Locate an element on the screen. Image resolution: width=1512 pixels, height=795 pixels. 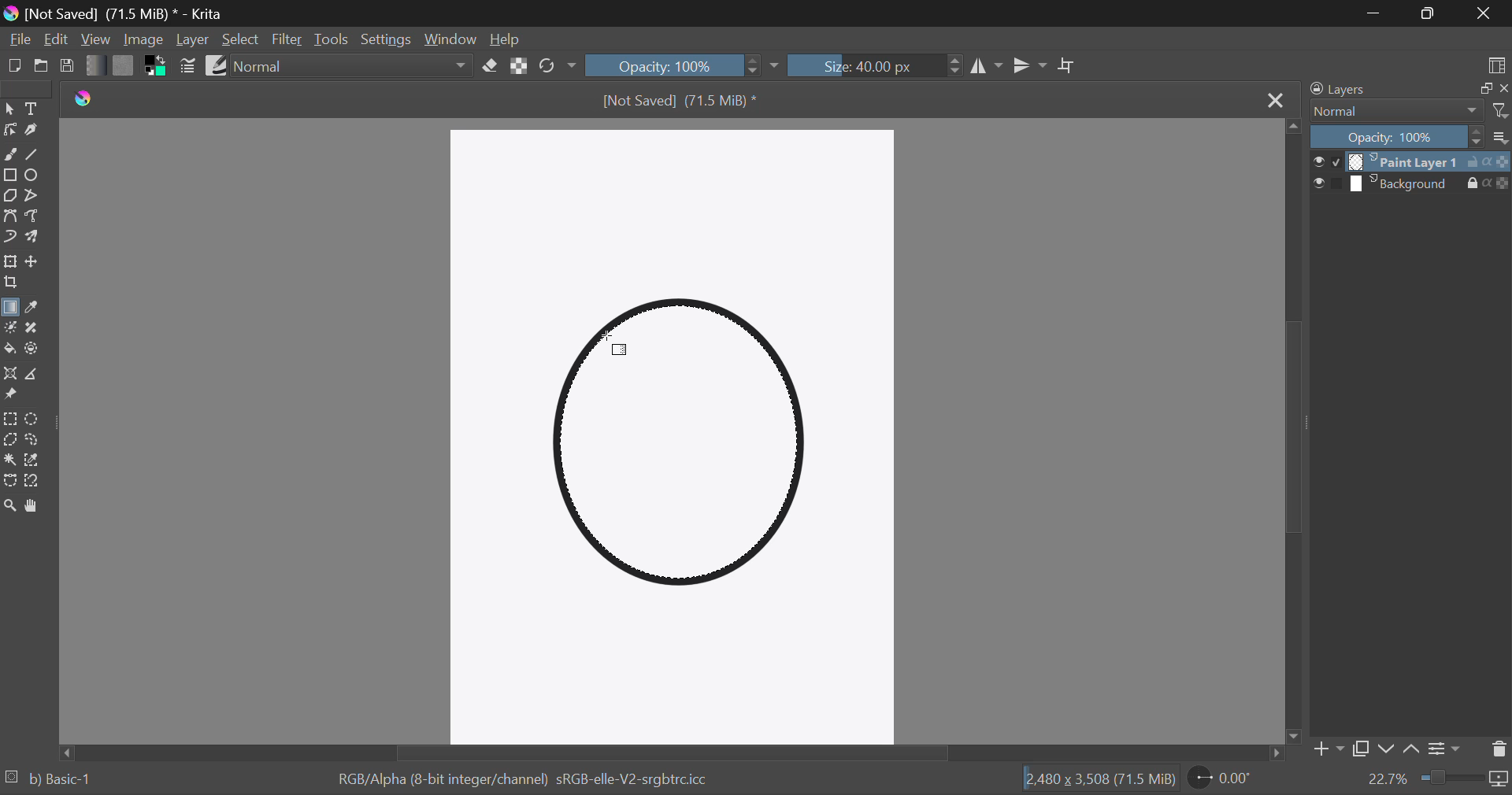
logo is located at coordinates (83, 101).